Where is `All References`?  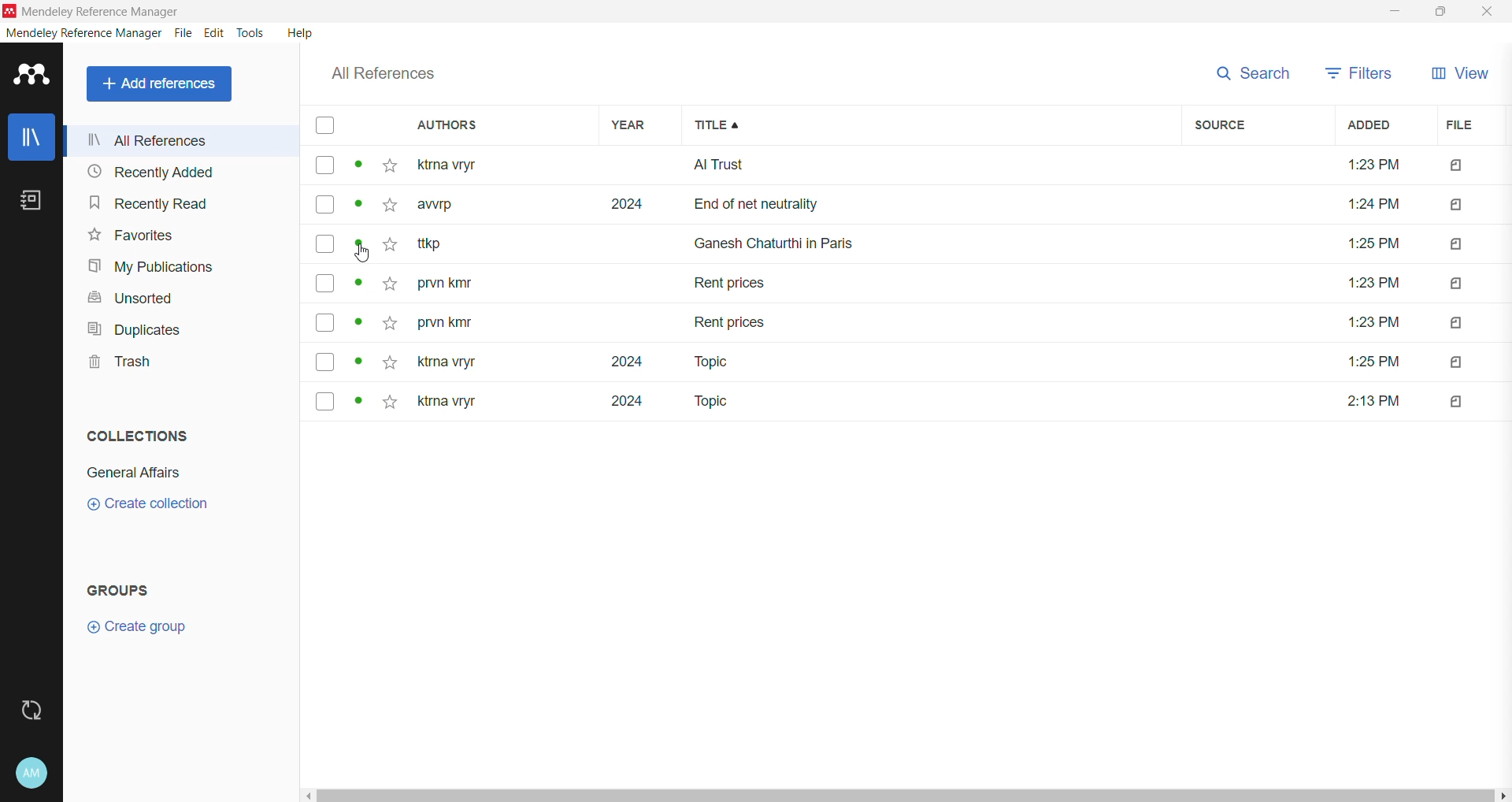
All References is located at coordinates (186, 140).